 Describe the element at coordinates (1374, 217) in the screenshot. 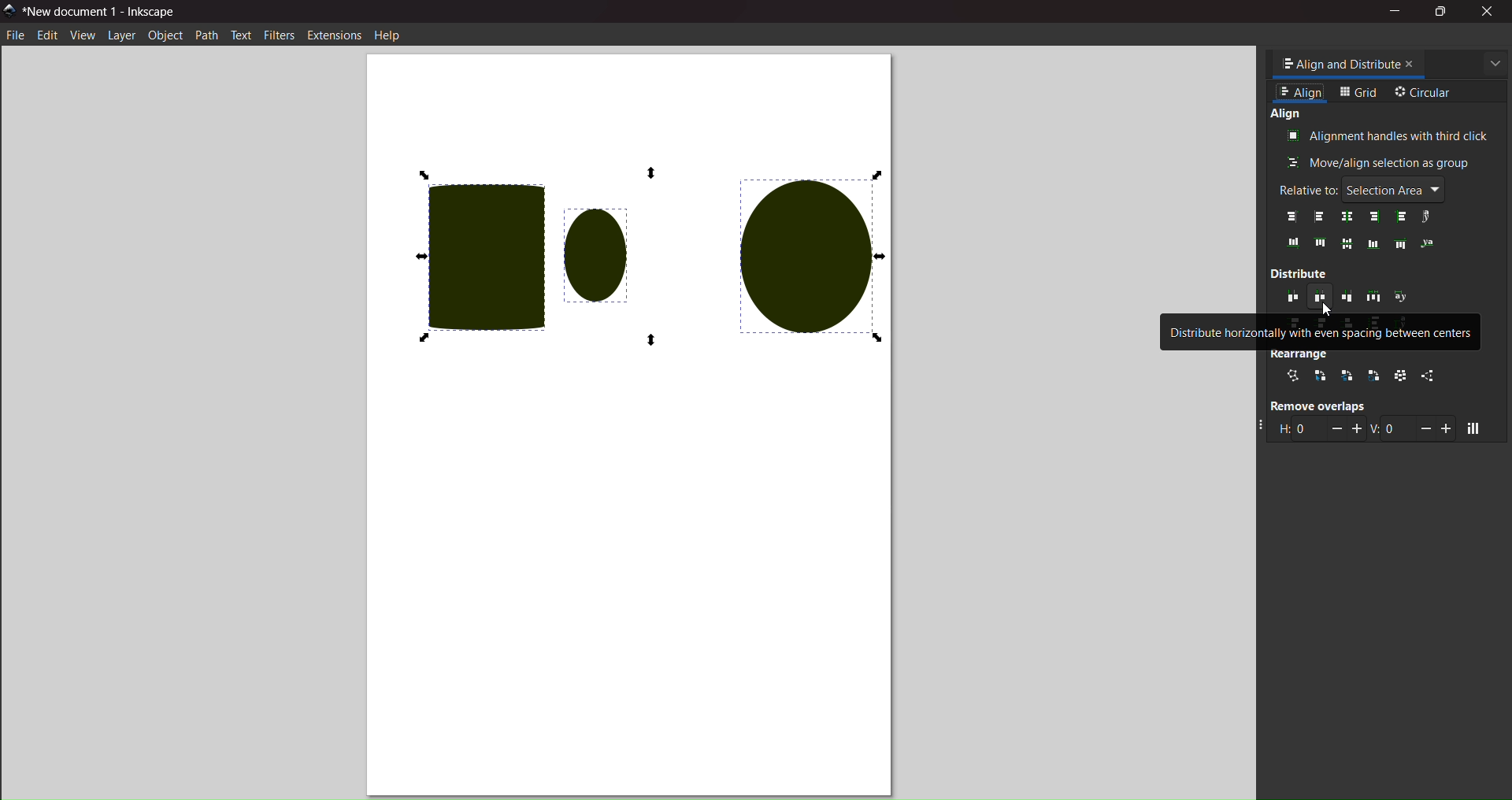

I see `right edges` at that location.